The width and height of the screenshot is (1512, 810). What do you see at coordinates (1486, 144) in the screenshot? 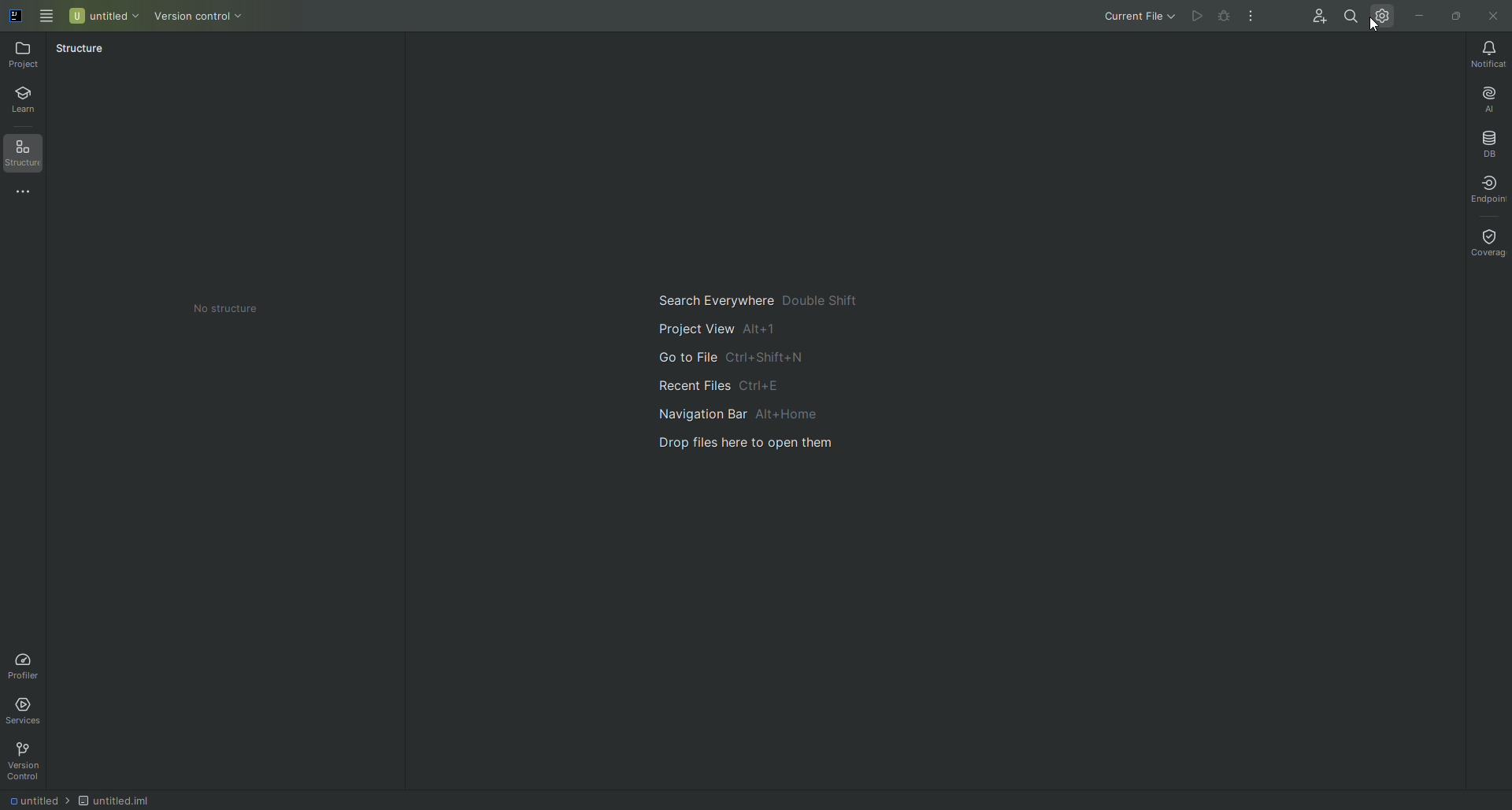
I see `Database` at bounding box center [1486, 144].